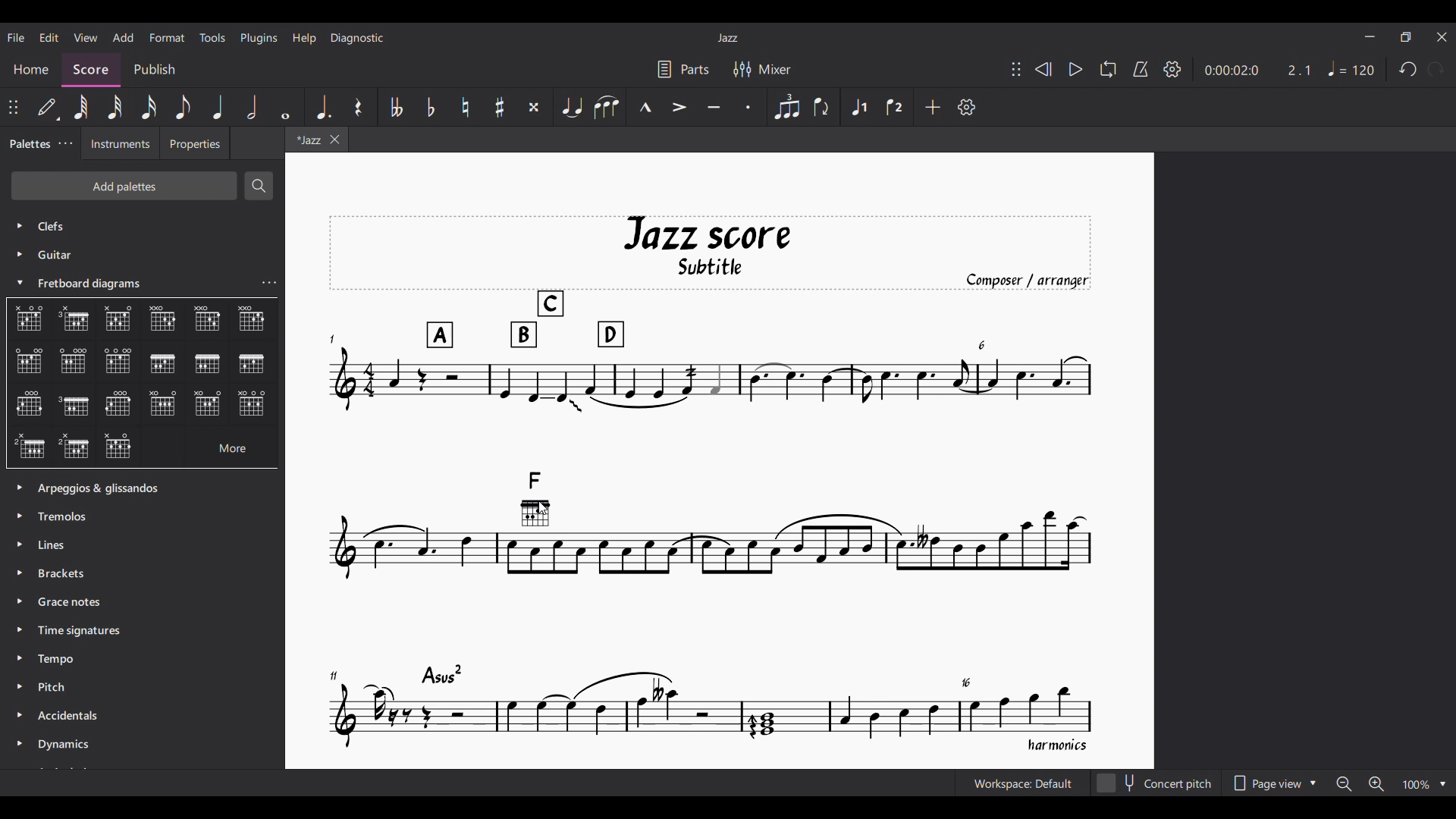 The image size is (1456, 819). Describe the element at coordinates (167, 38) in the screenshot. I see `Format menu` at that location.